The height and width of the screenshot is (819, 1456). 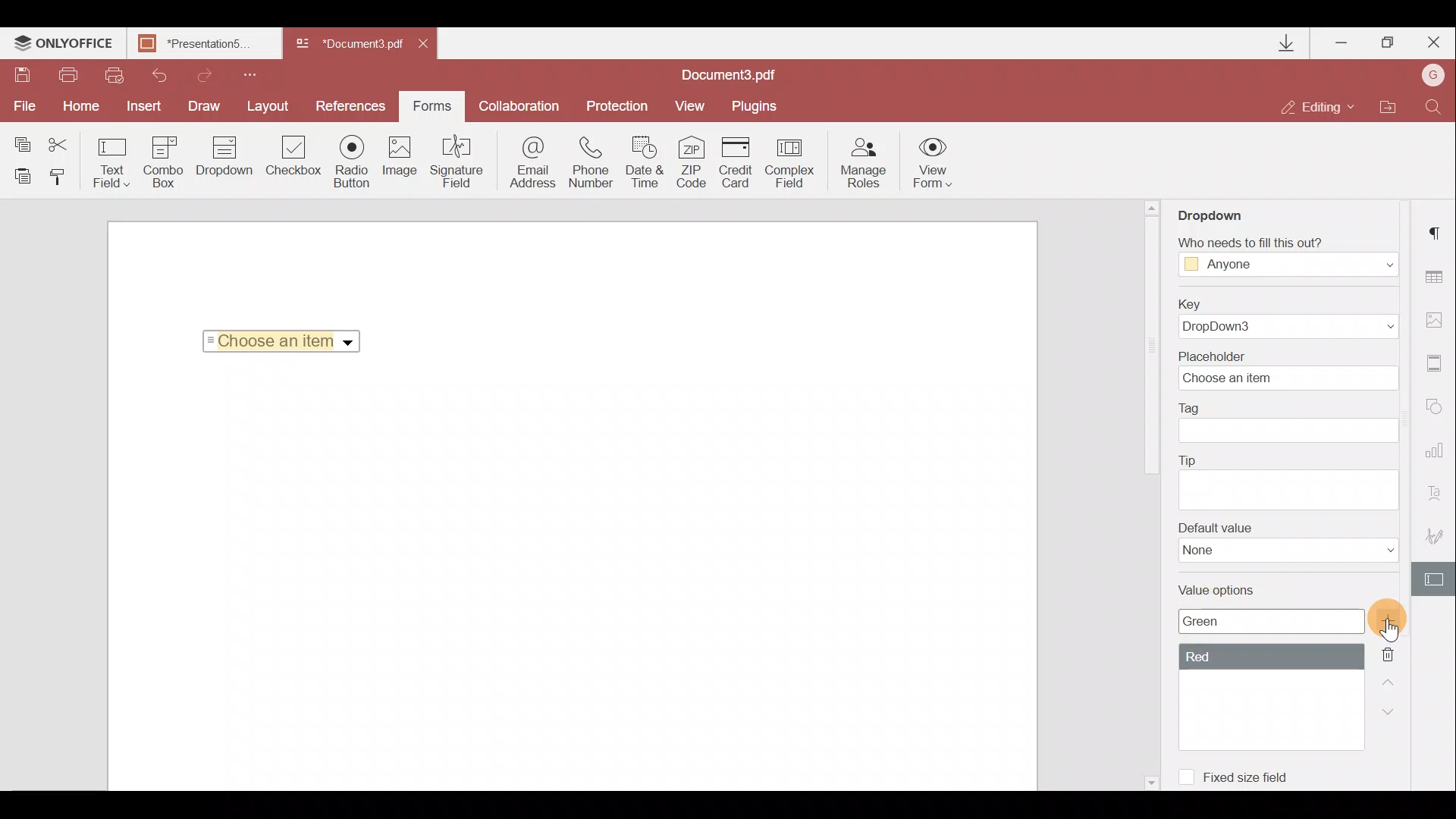 What do you see at coordinates (1288, 480) in the screenshot?
I see `Tip` at bounding box center [1288, 480].